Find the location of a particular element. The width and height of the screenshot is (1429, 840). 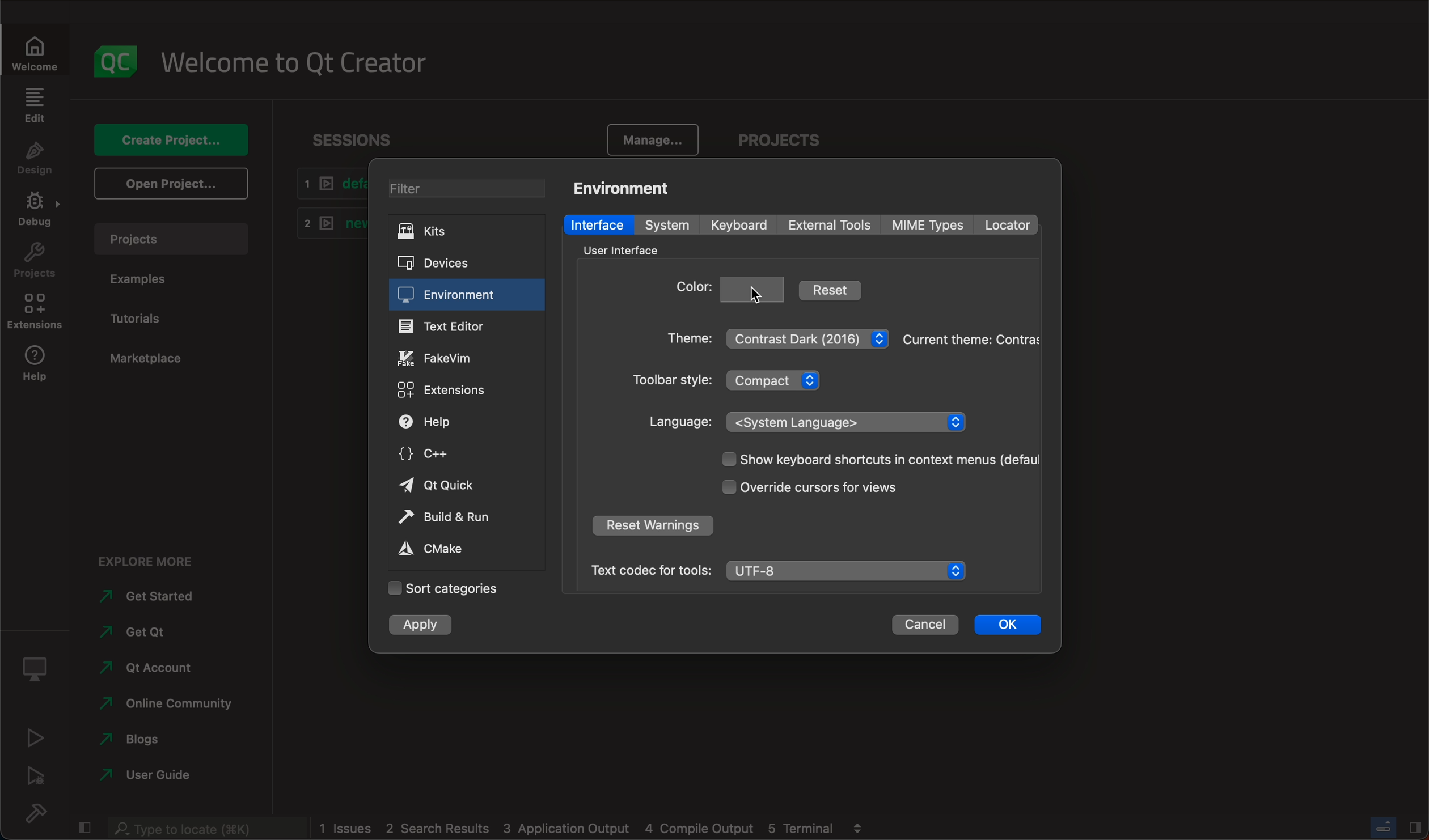

Welcome is located at coordinates (37, 50).